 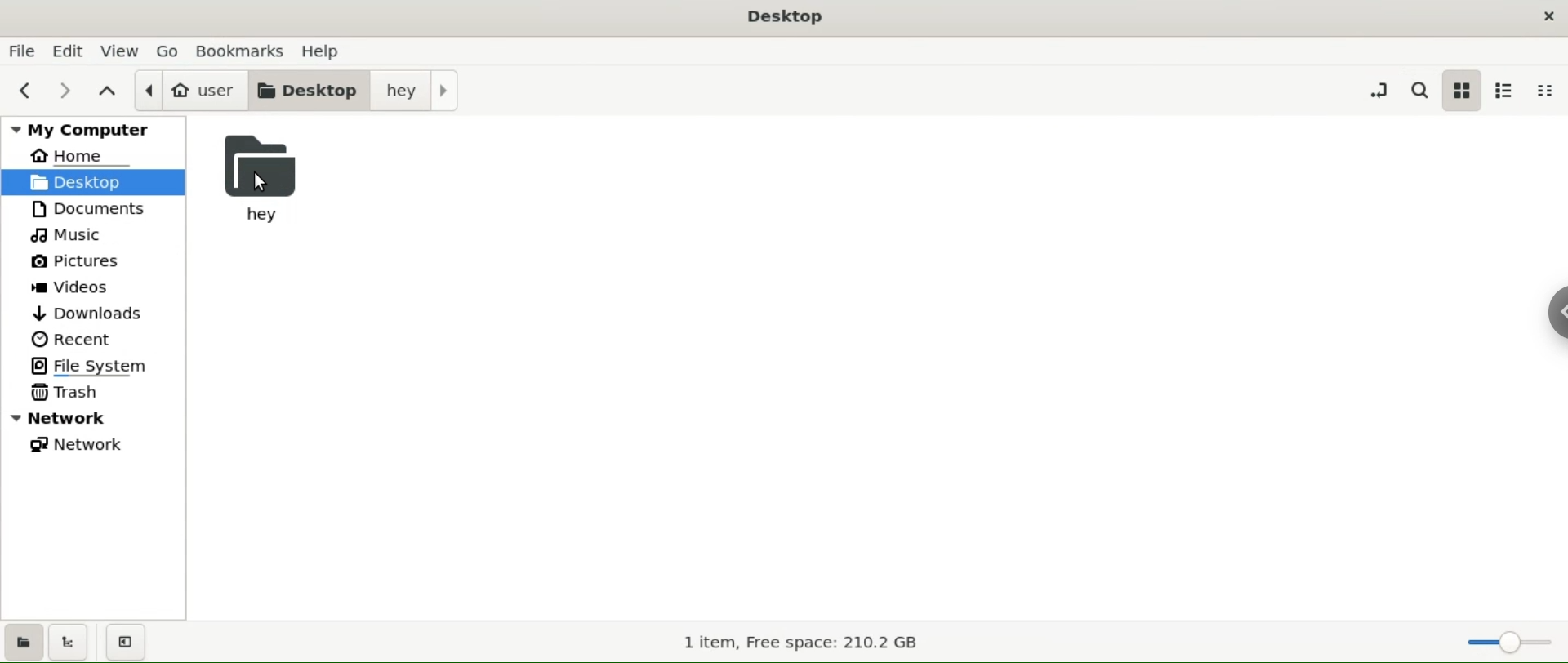 What do you see at coordinates (814, 638) in the screenshot?
I see `1 item, Free space: 210.2 GB` at bounding box center [814, 638].